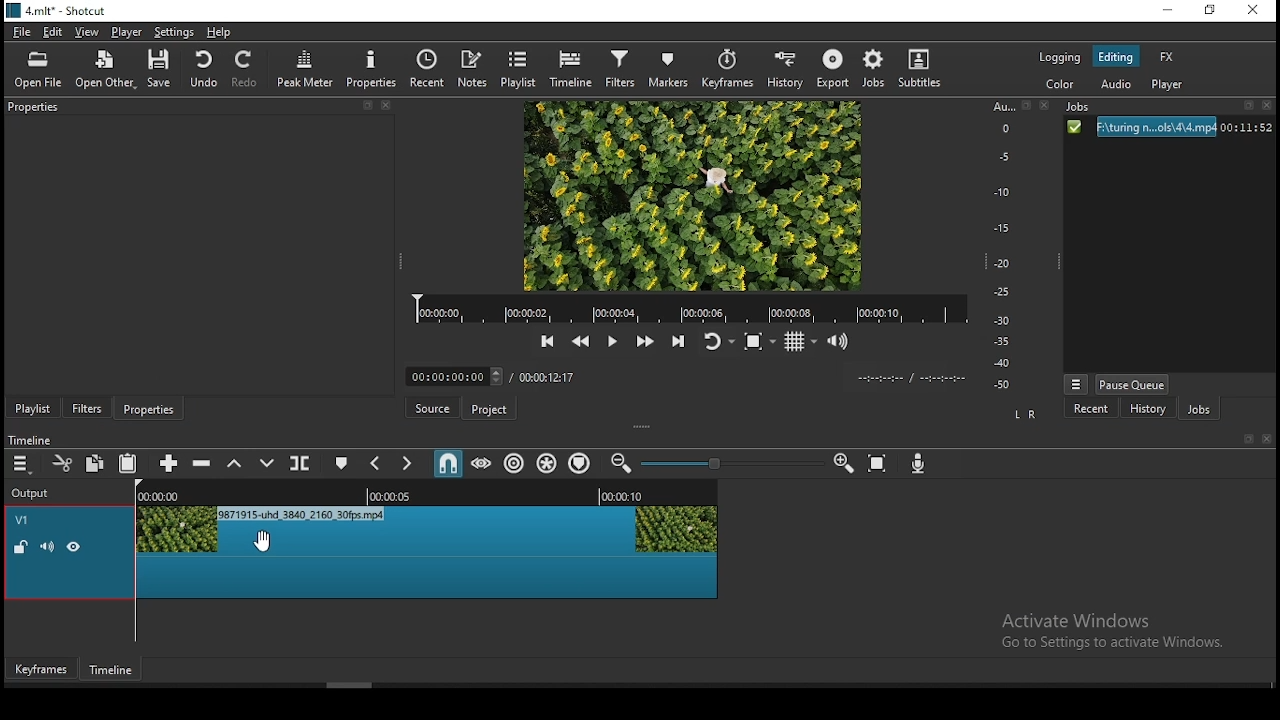 The height and width of the screenshot is (720, 1280). Describe the element at coordinates (1041, 106) in the screenshot. I see `close` at that location.